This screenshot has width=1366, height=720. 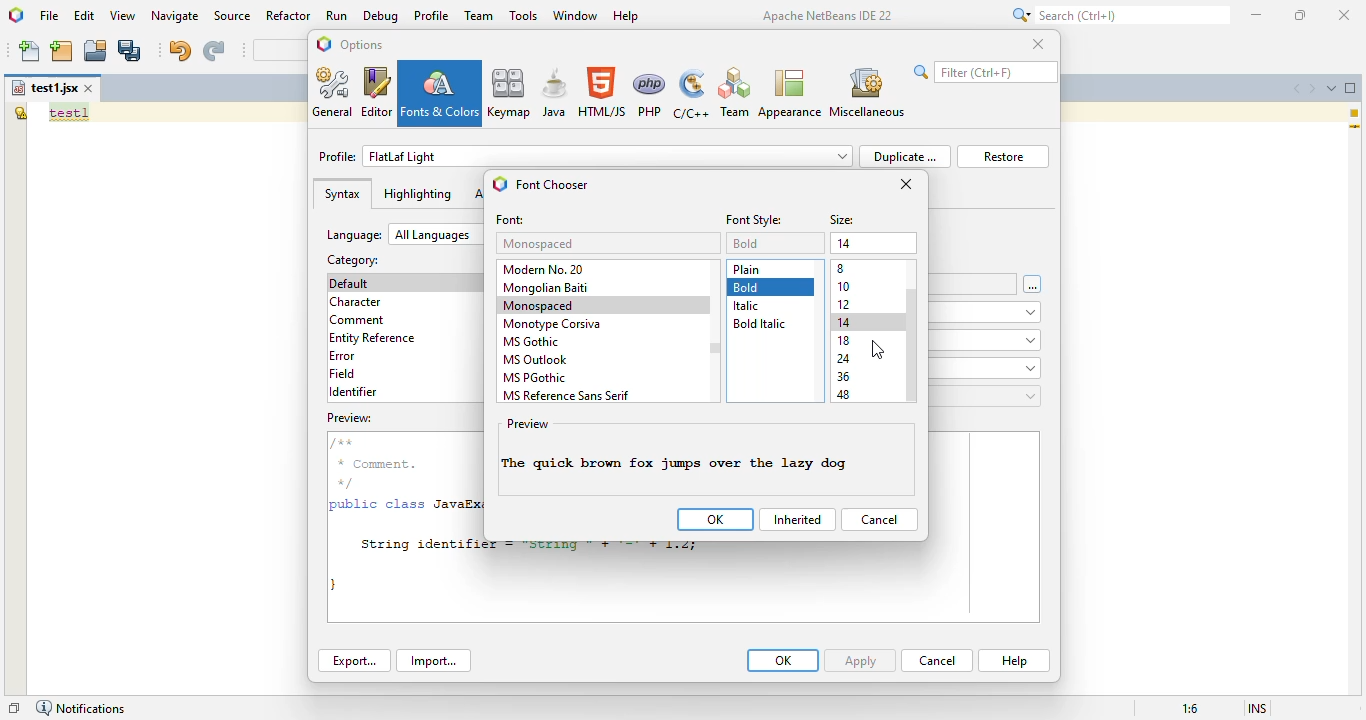 What do you see at coordinates (747, 269) in the screenshot?
I see `plain` at bounding box center [747, 269].